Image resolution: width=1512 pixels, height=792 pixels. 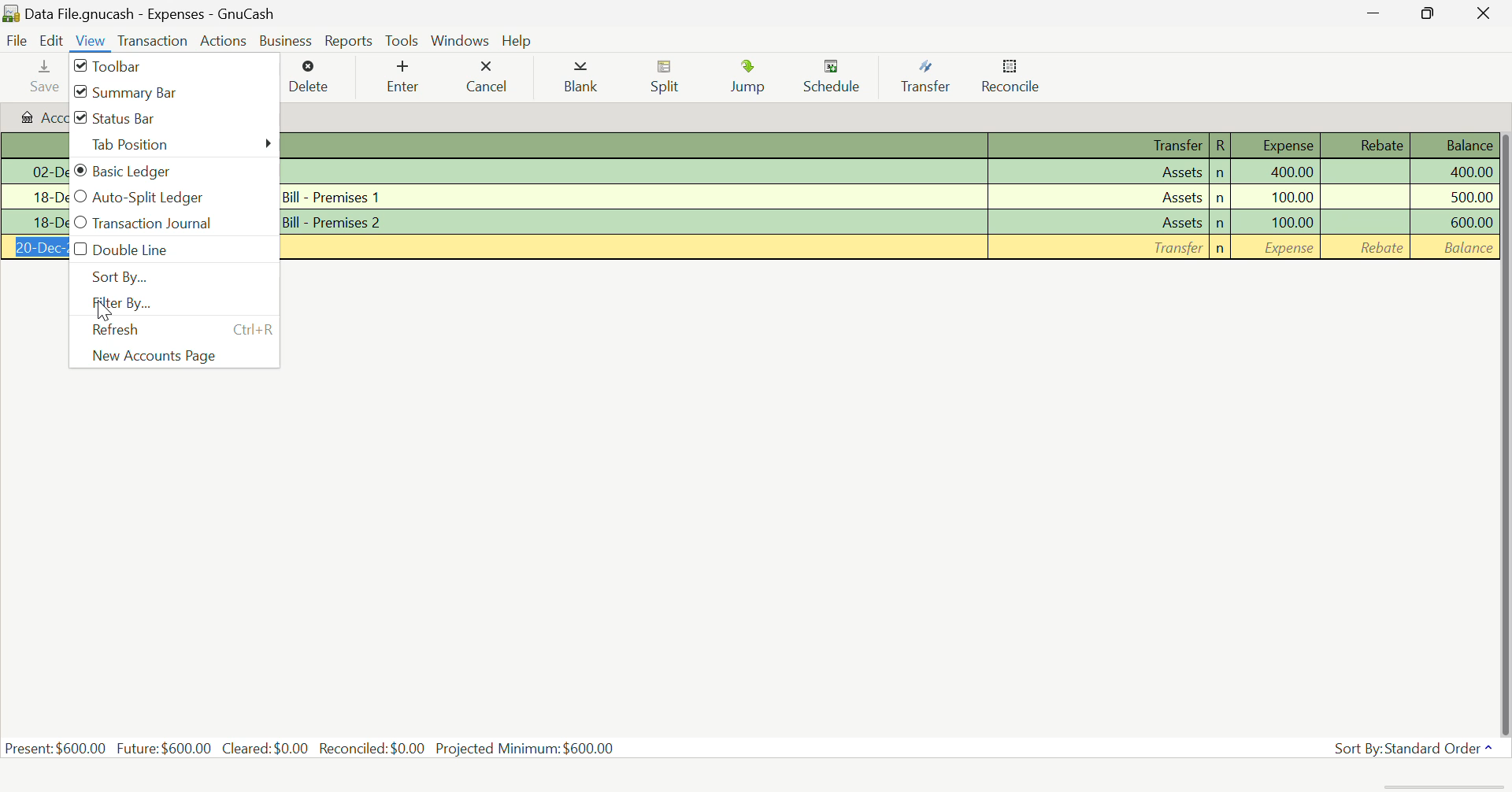 What do you see at coordinates (461, 39) in the screenshot?
I see `Windows` at bounding box center [461, 39].